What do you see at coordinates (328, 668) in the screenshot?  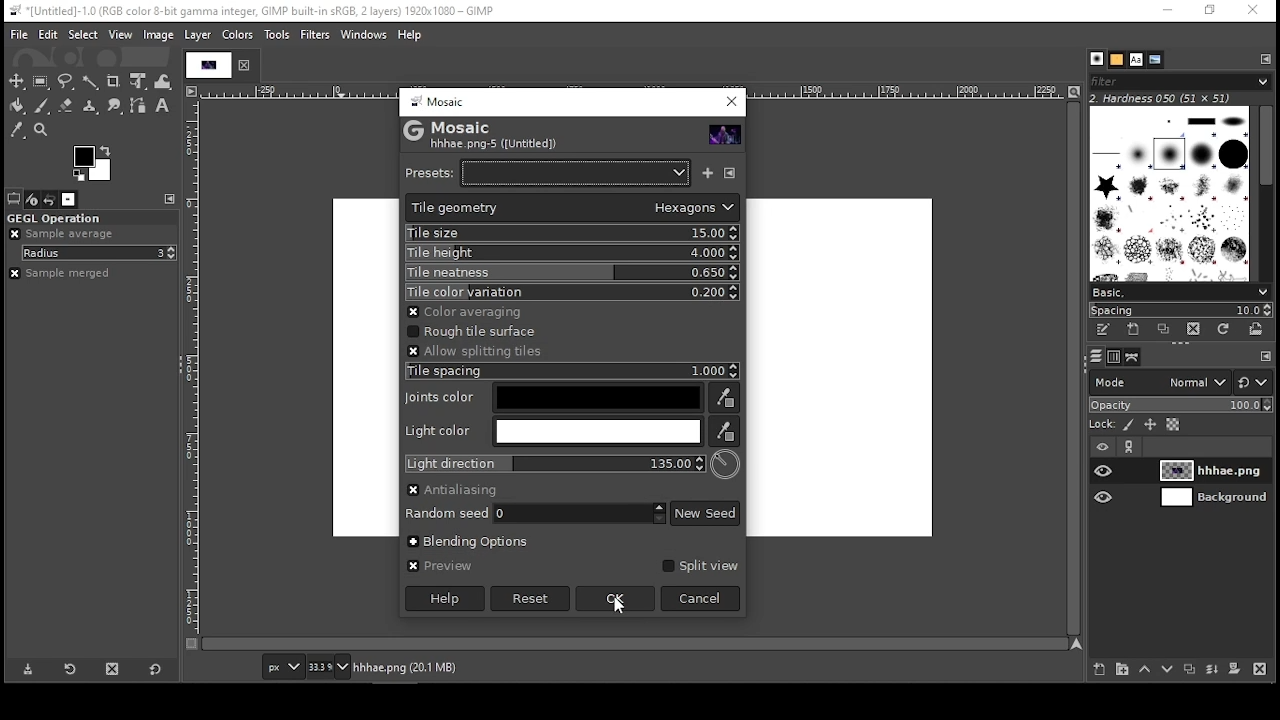 I see `` at bounding box center [328, 668].